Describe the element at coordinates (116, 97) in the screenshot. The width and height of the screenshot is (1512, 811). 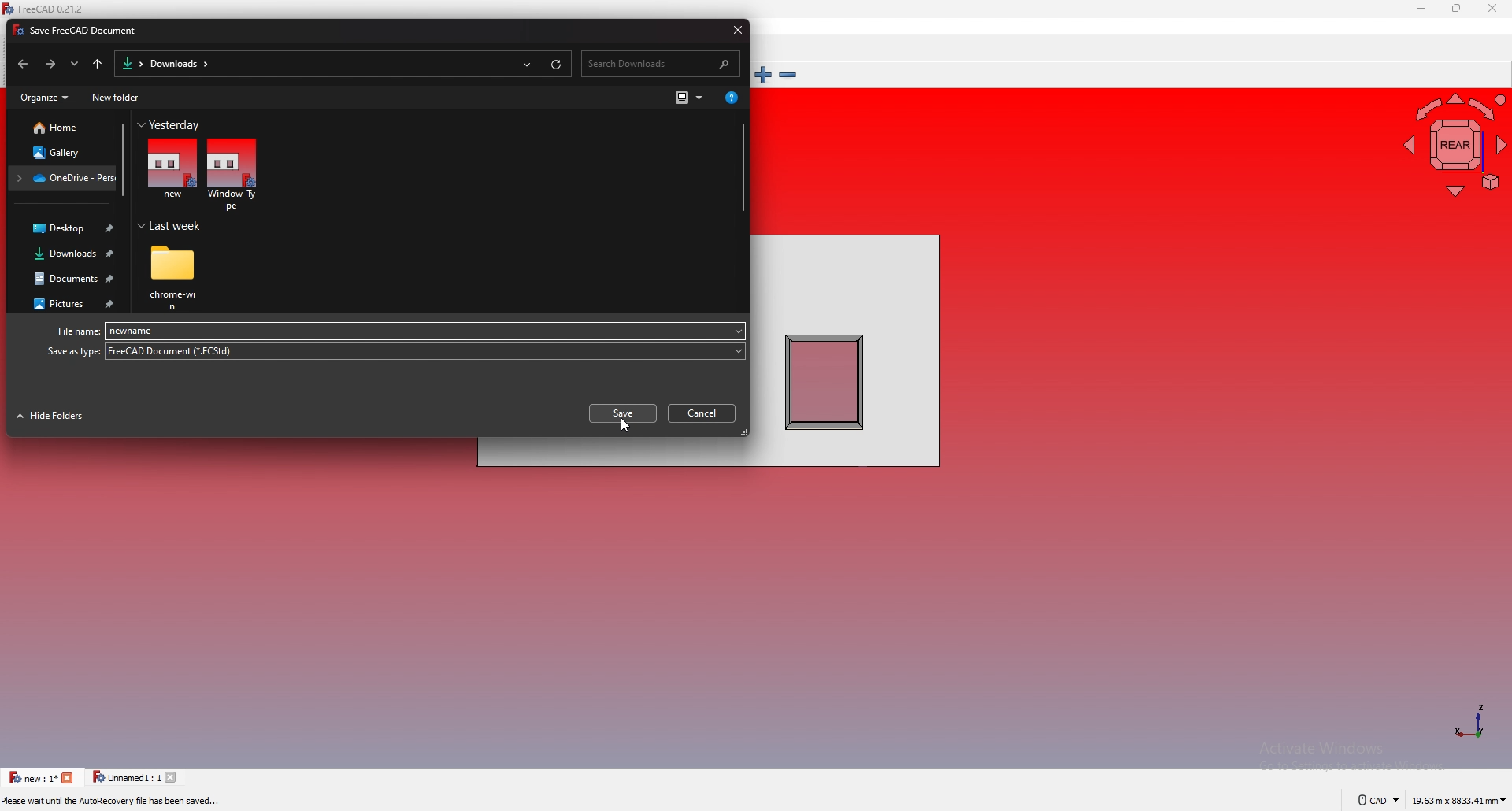
I see `new folder` at that location.